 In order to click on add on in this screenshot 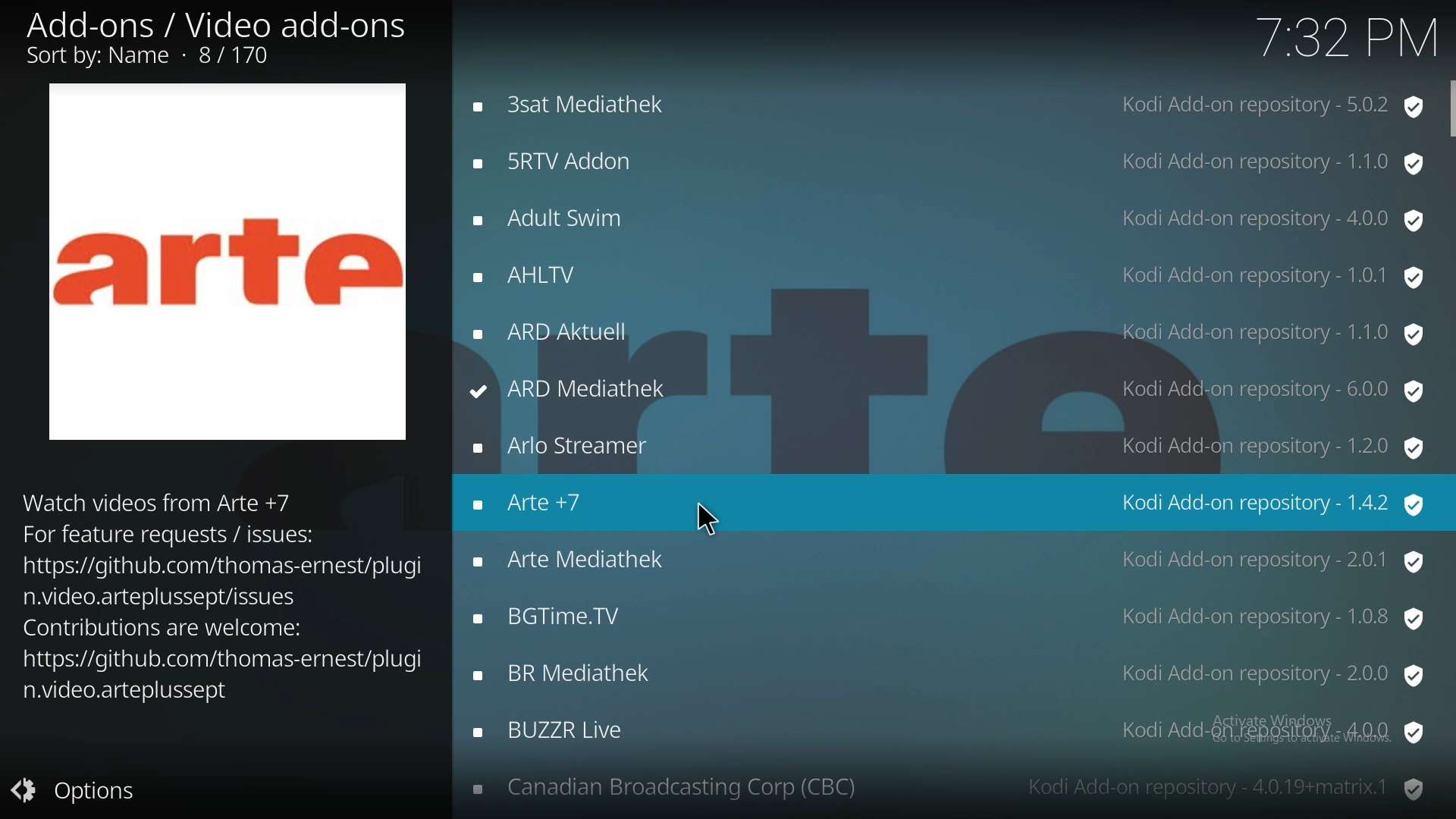, I will do `click(947, 733)`.